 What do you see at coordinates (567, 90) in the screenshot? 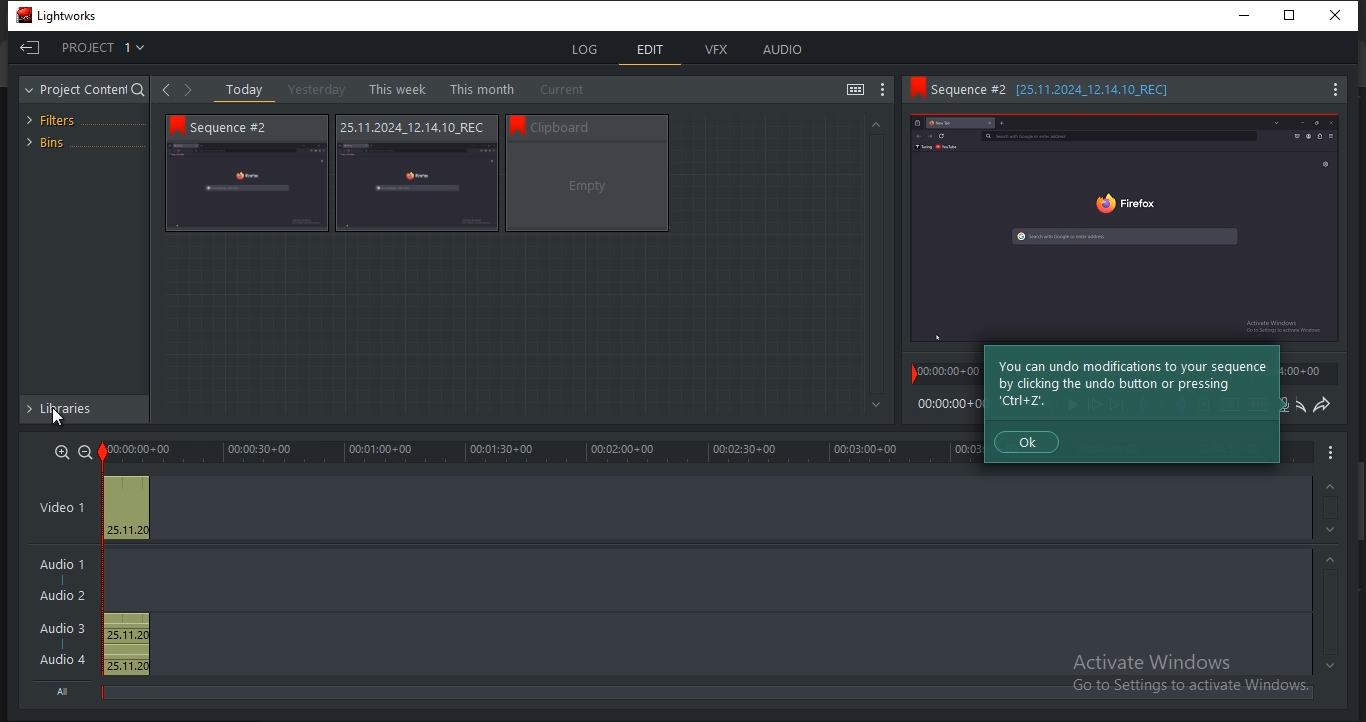
I see `current` at bounding box center [567, 90].